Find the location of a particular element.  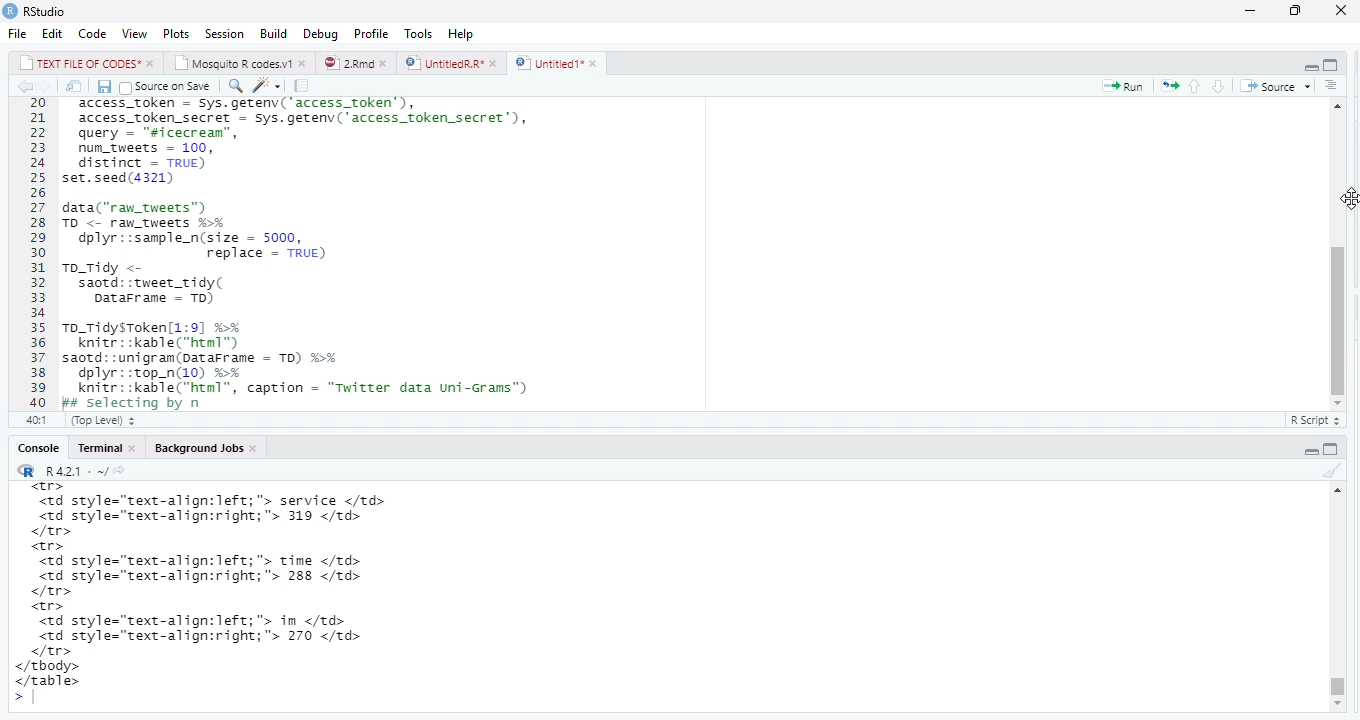

Background Jobs is located at coordinates (208, 447).